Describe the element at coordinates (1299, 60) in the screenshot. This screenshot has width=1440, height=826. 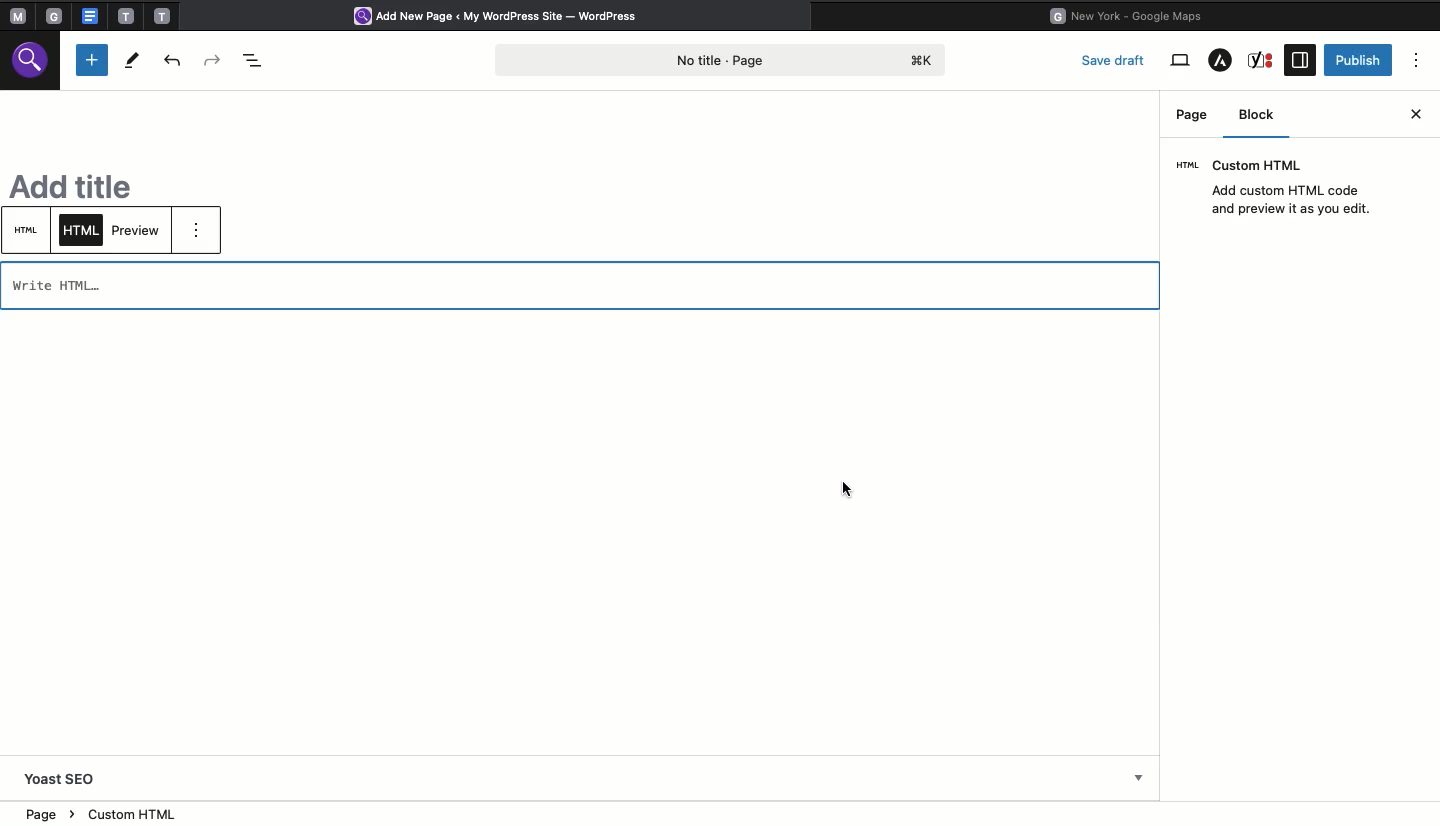
I see `Sidebar` at that location.